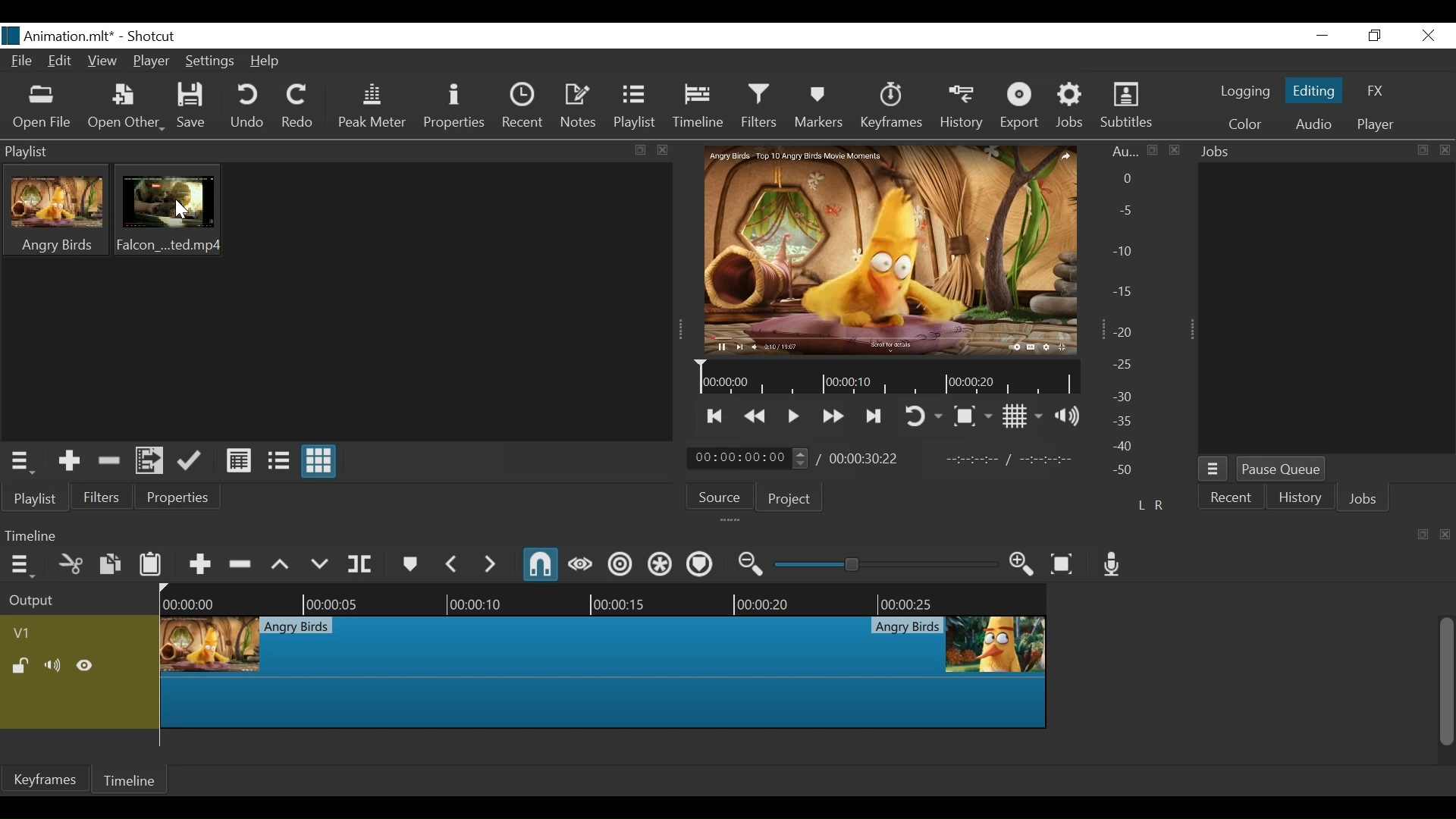 The width and height of the screenshot is (1456, 819). What do you see at coordinates (179, 497) in the screenshot?
I see `Properties` at bounding box center [179, 497].